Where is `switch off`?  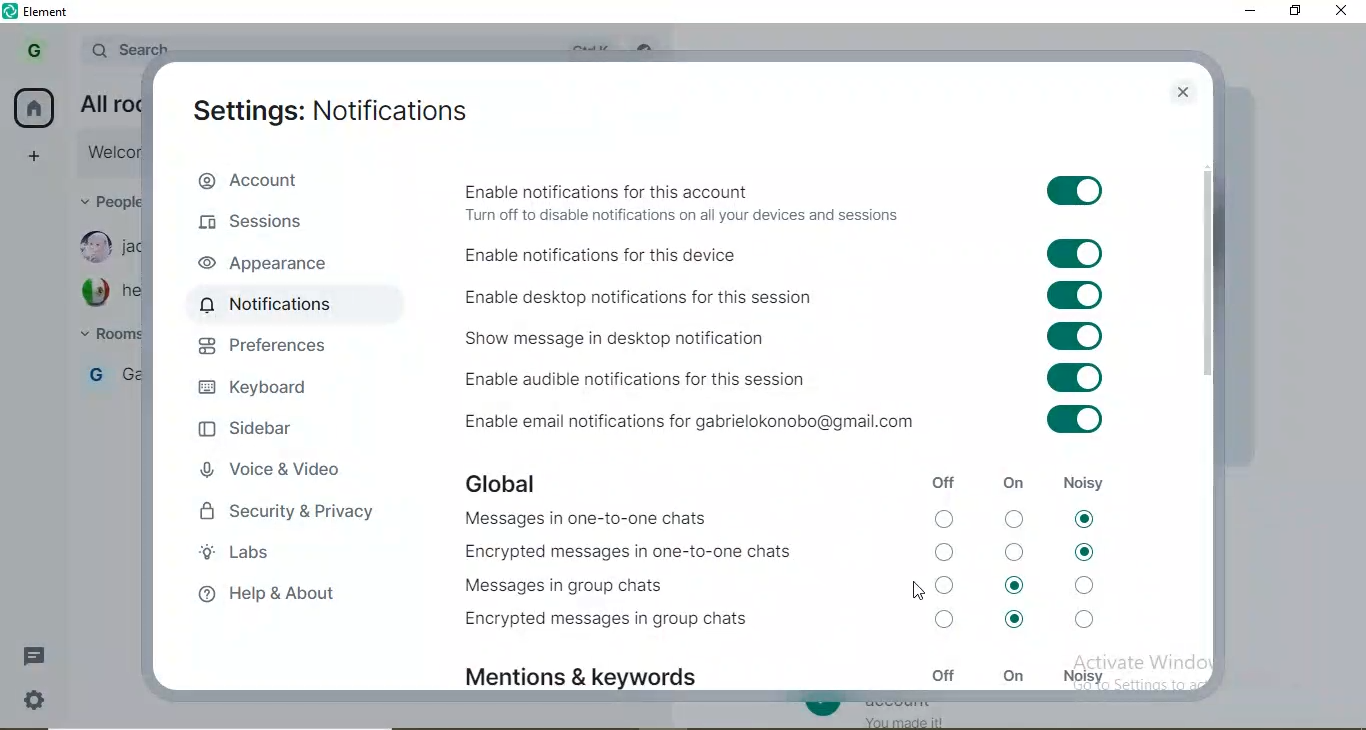 switch off is located at coordinates (952, 586).